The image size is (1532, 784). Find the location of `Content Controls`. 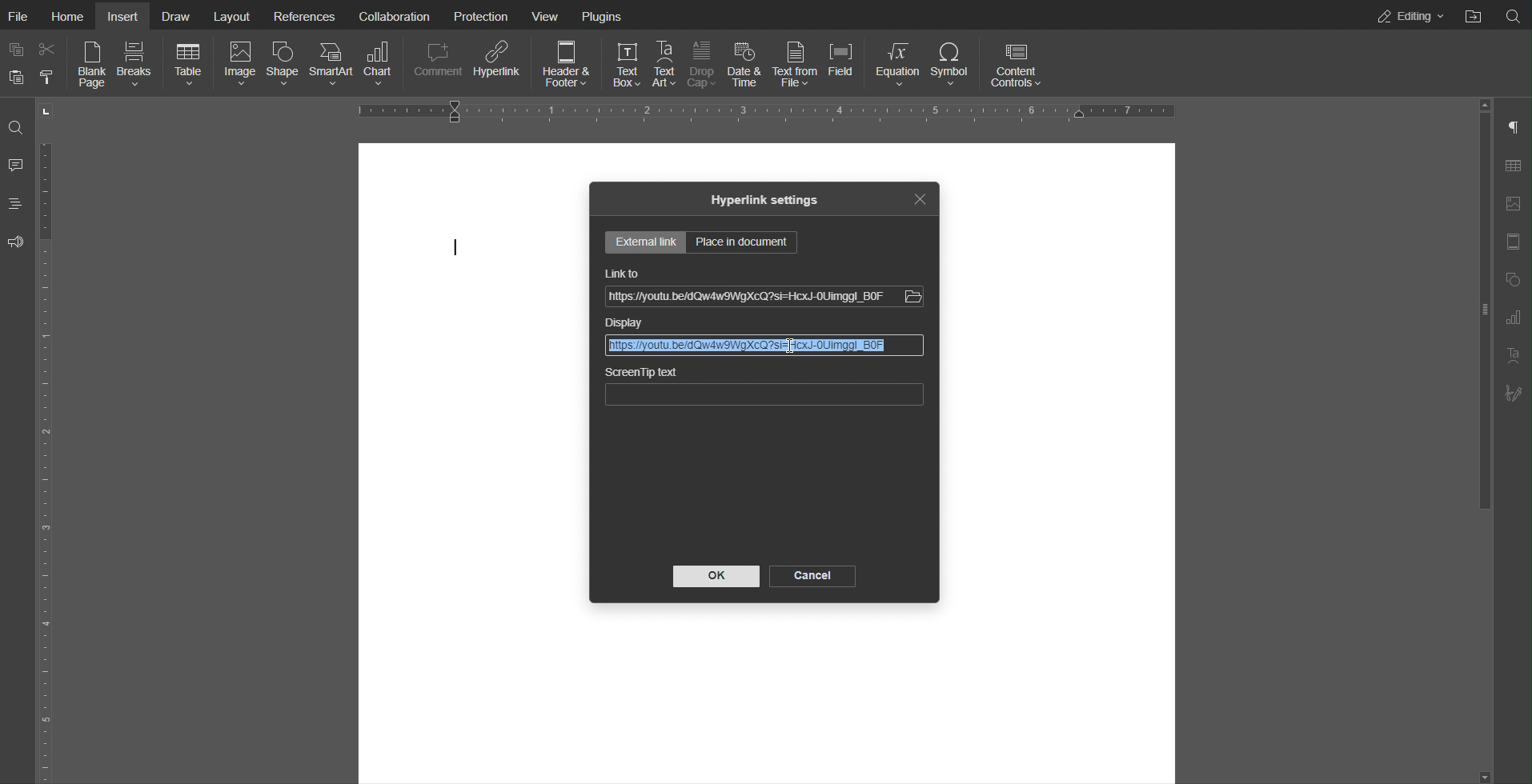

Content Controls is located at coordinates (1017, 62).